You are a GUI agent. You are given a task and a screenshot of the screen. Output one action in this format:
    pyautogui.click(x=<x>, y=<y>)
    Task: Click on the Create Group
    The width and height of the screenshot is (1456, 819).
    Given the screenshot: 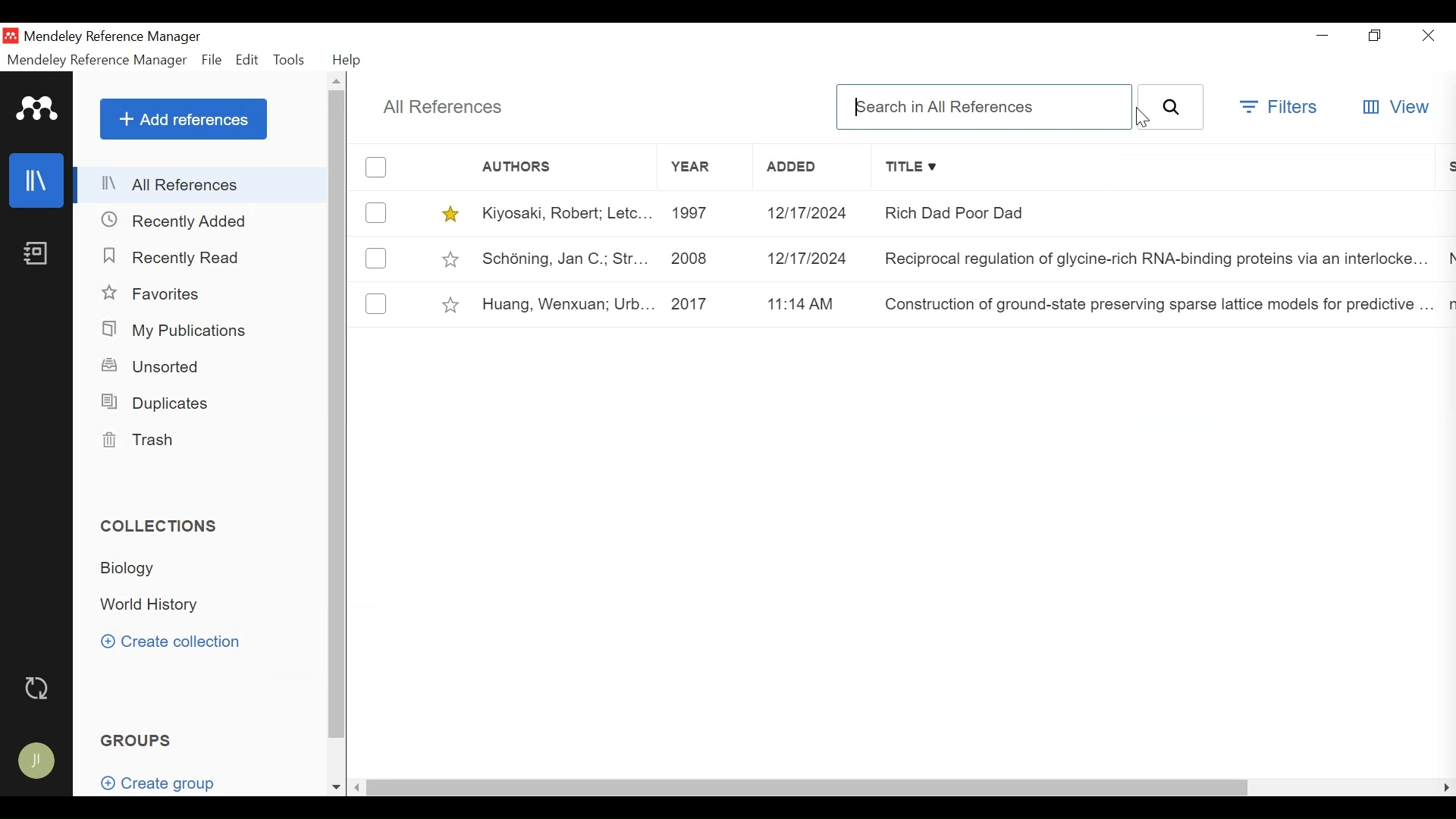 What is the action you would take?
    pyautogui.click(x=156, y=778)
    